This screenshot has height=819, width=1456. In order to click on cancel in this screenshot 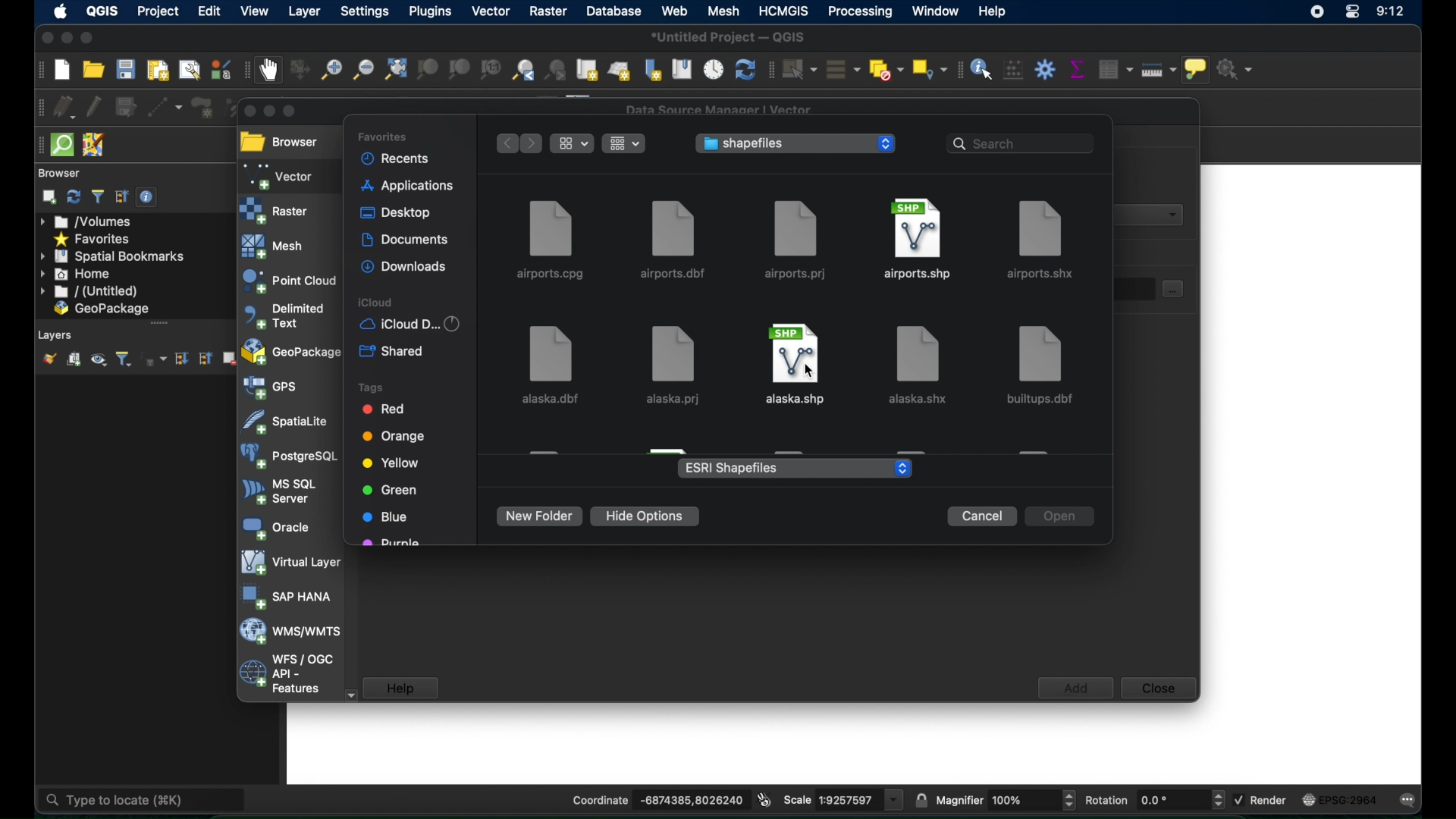, I will do `click(982, 516)`.